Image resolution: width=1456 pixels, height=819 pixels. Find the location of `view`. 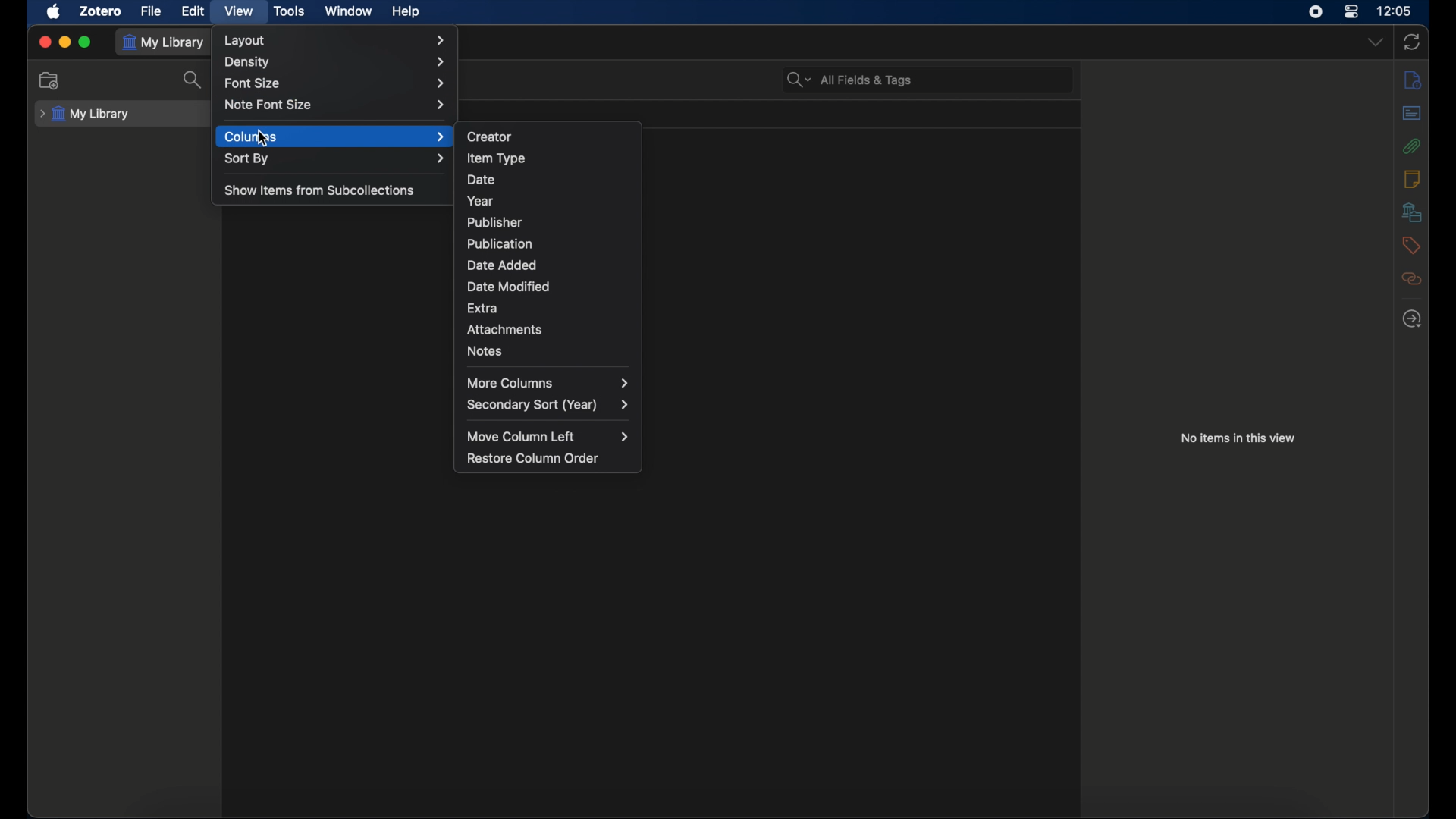

view is located at coordinates (240, 11).